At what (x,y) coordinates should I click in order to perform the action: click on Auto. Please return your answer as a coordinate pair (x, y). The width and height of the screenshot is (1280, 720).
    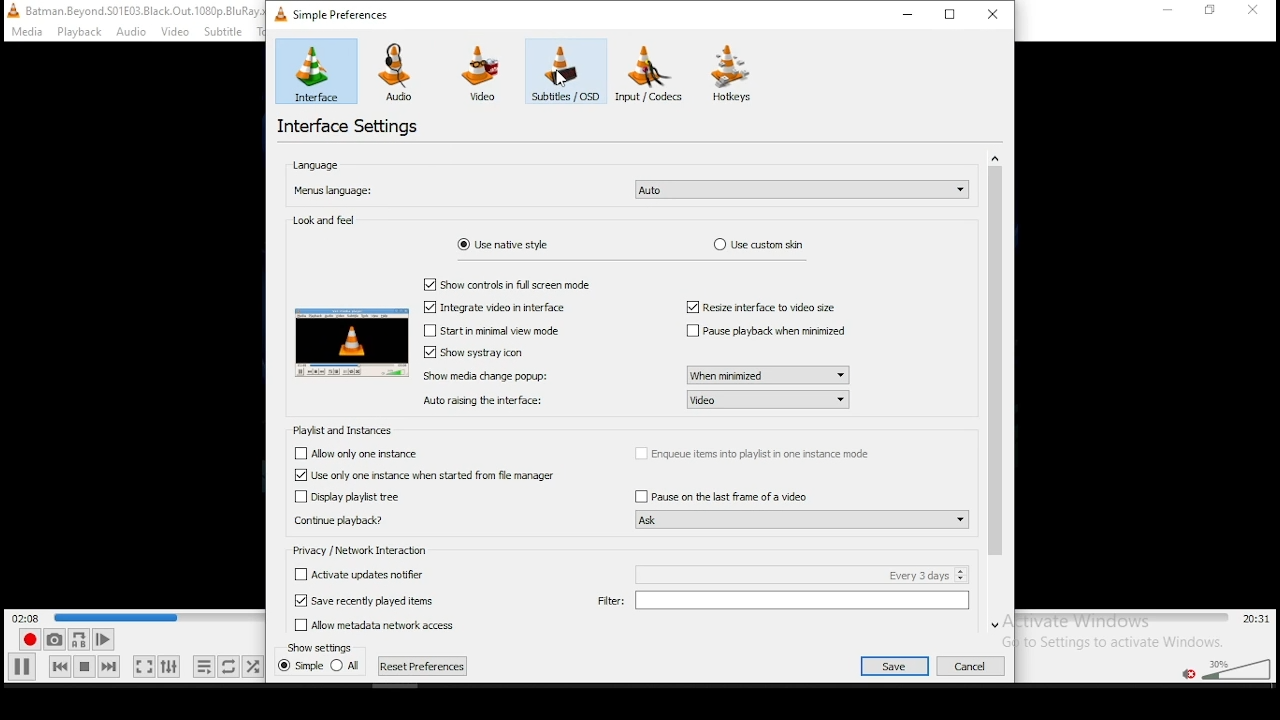
    Looking at the image, I should click on (803, 190).